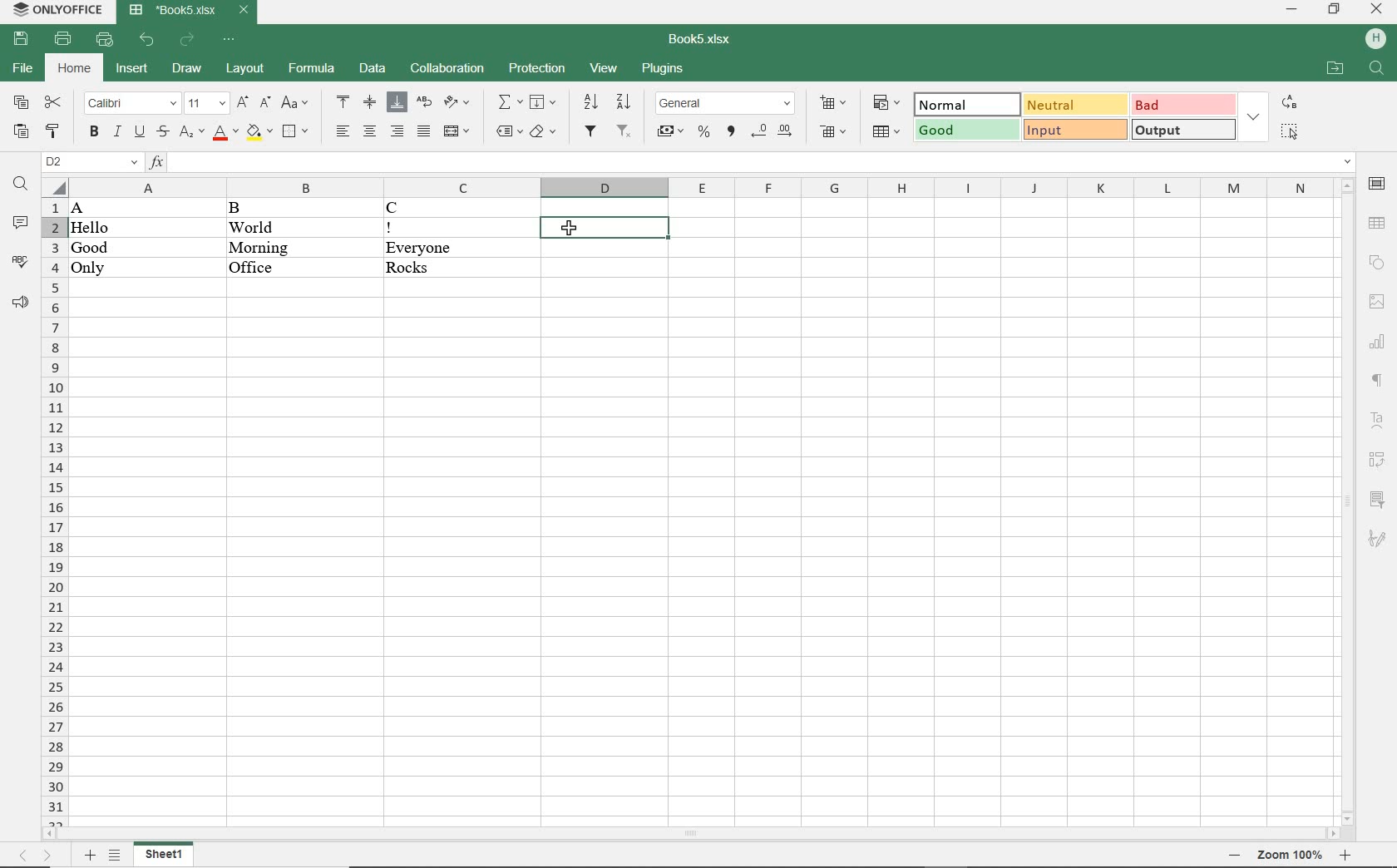  What do you see at coordinates (133, 67) in the screenshot?
I see `INSERT` at bounding box center [133, 67].